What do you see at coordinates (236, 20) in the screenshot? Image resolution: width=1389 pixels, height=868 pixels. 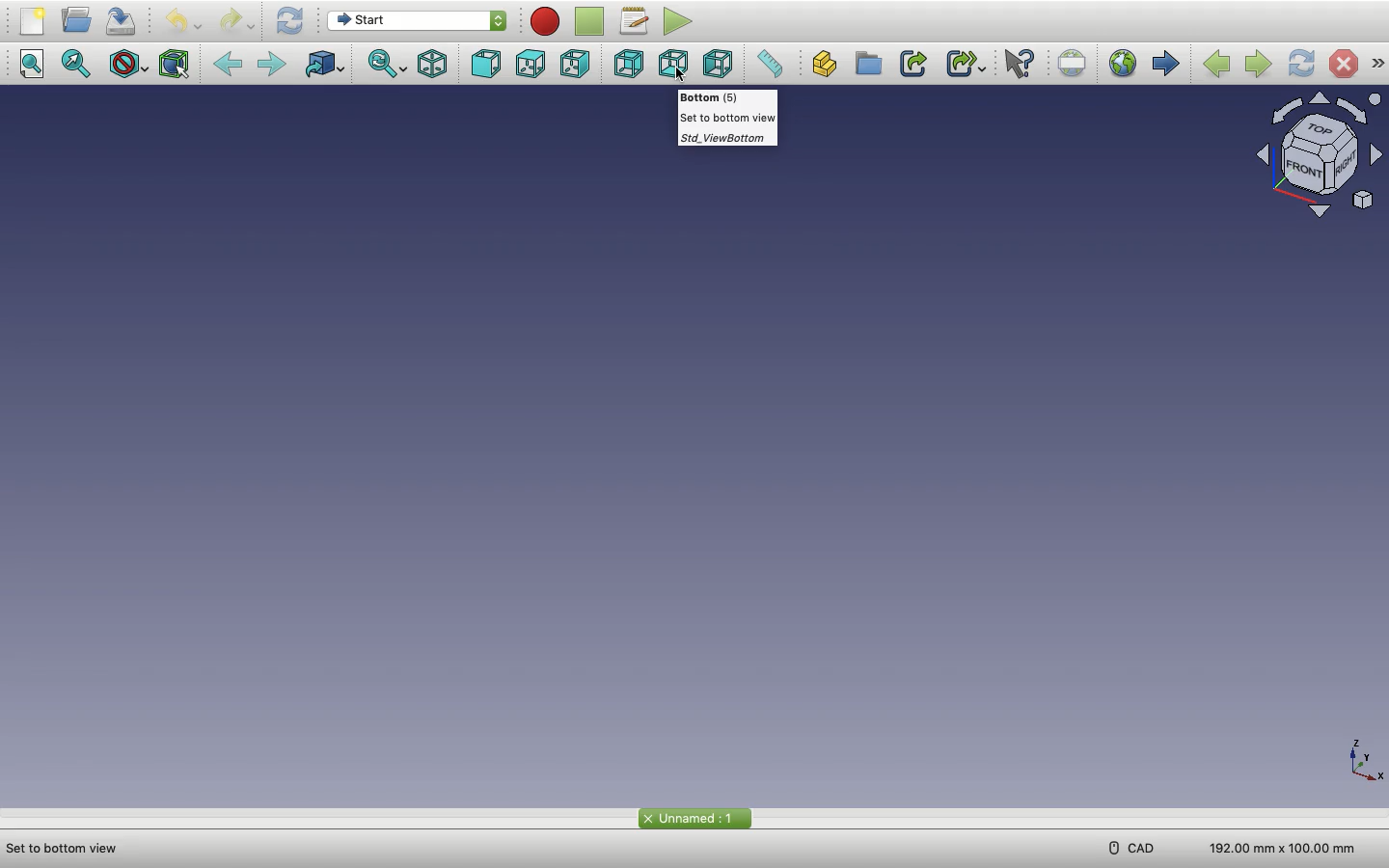 I see `Redo` at bounding box center [236, 20].